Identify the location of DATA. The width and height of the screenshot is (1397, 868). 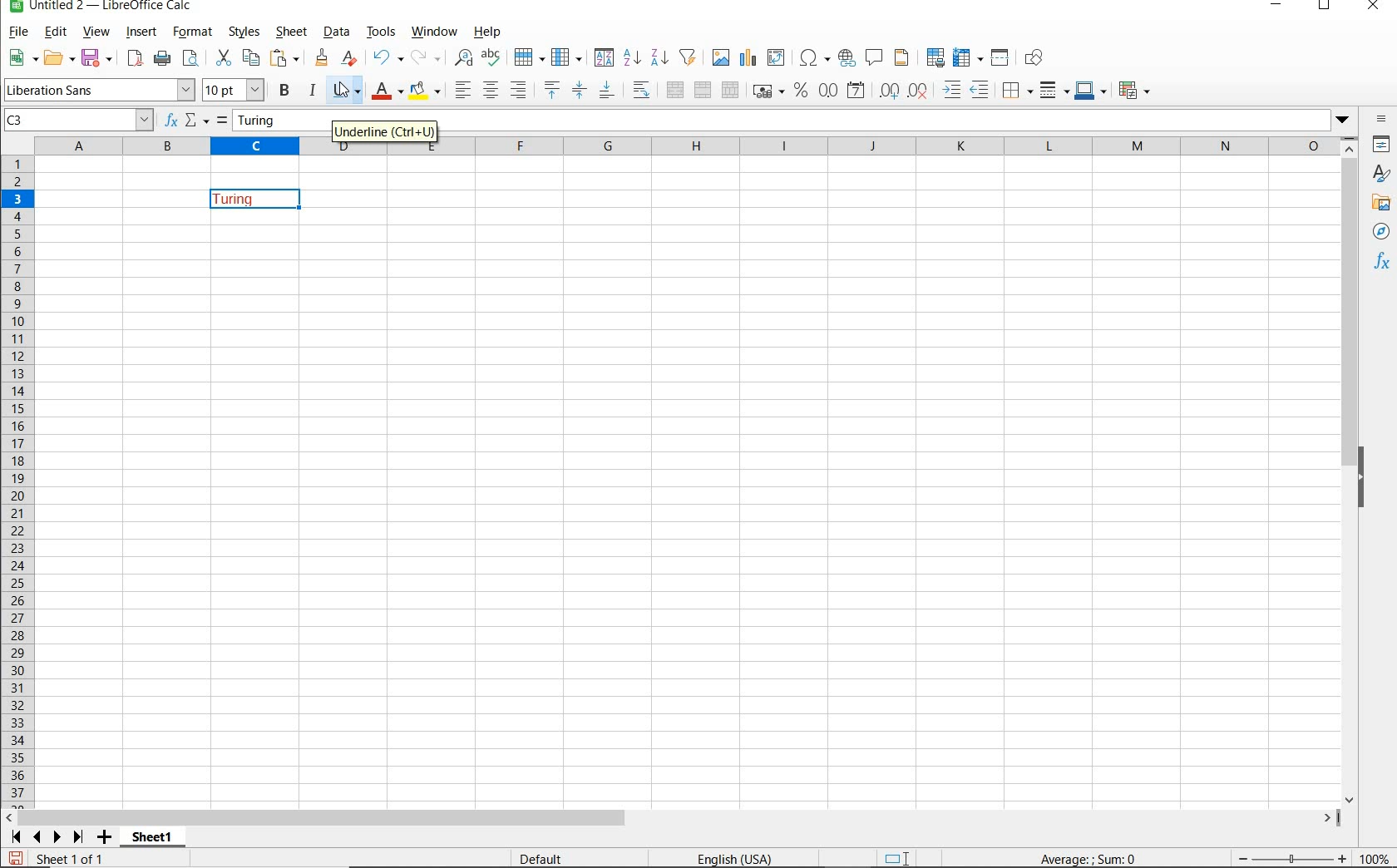
(338, 33).